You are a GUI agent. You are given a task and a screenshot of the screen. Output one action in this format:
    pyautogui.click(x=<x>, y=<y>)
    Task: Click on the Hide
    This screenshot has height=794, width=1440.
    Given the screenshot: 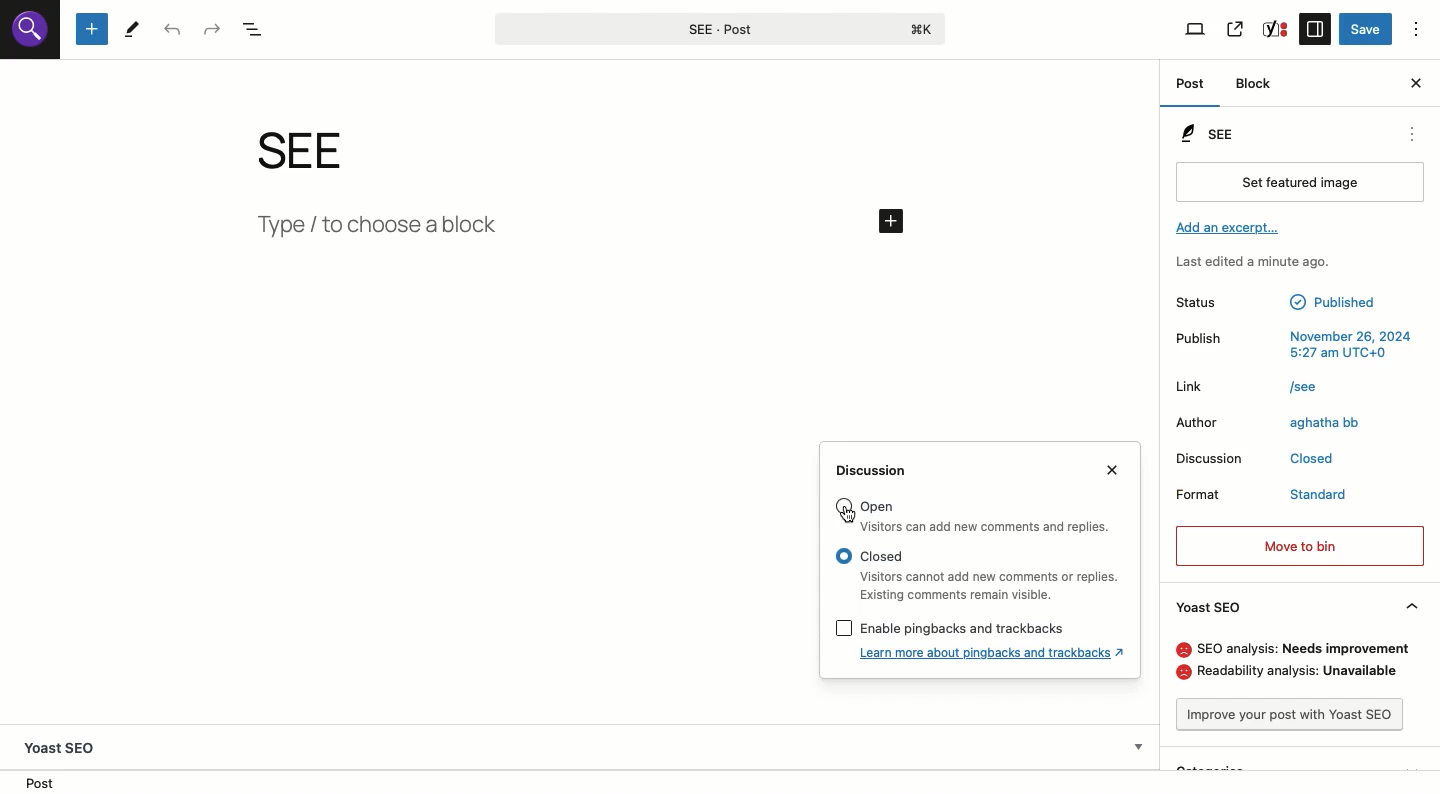 What is the action you would take?
    pyautogui.click(x=1411, y=602)
    